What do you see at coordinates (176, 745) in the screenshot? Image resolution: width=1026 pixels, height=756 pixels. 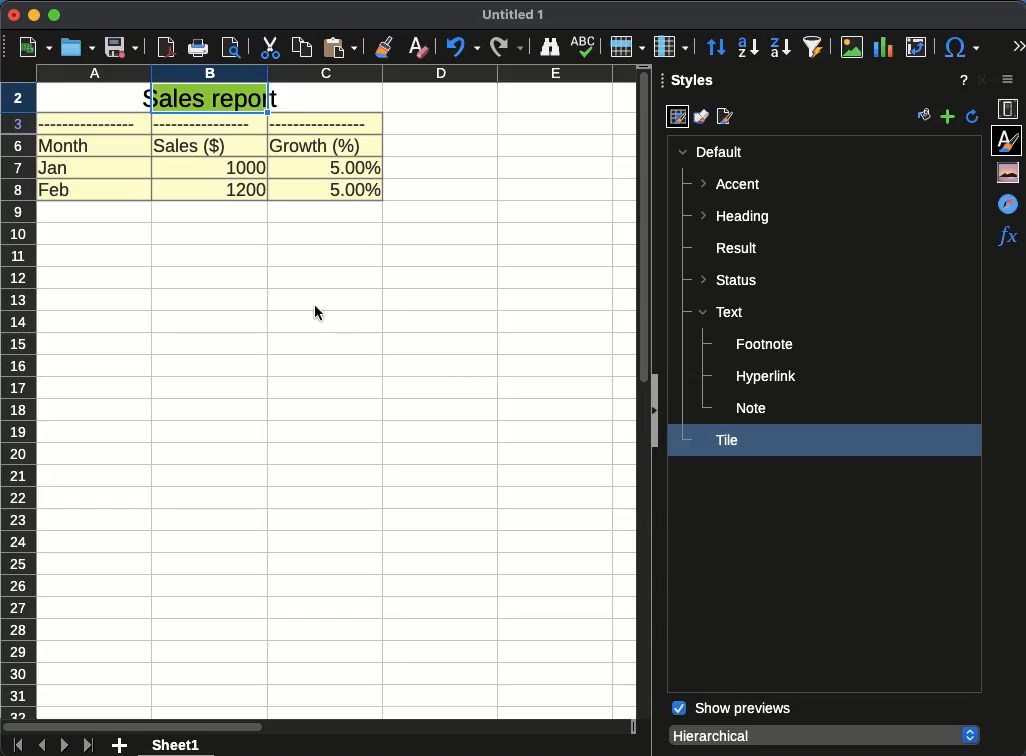 I see `sheet 1` at bounding box center [176, 745].